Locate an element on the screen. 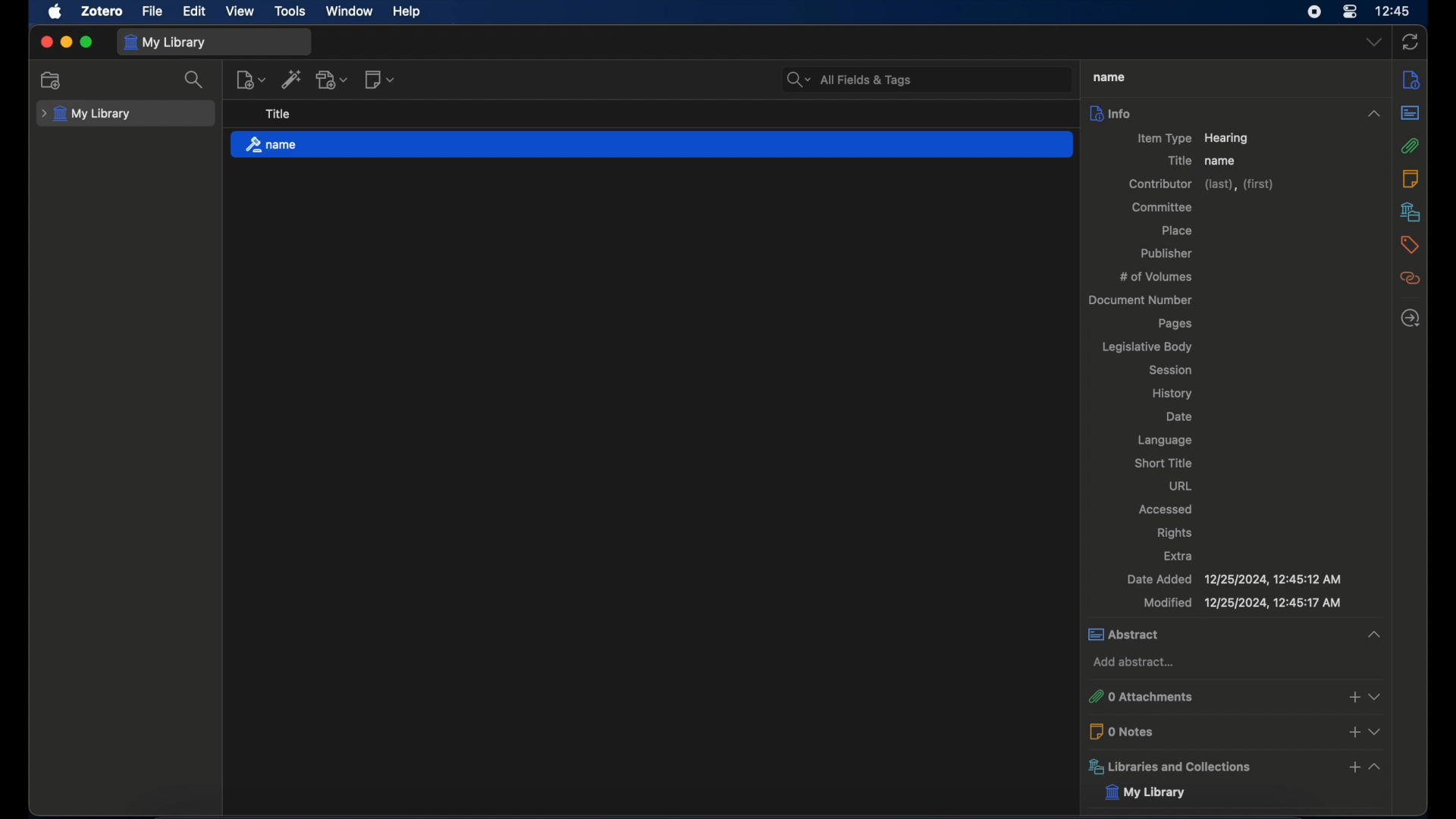 The width and height of the screenshot is (1456, 819). info is located at coordinates (1235, 113).